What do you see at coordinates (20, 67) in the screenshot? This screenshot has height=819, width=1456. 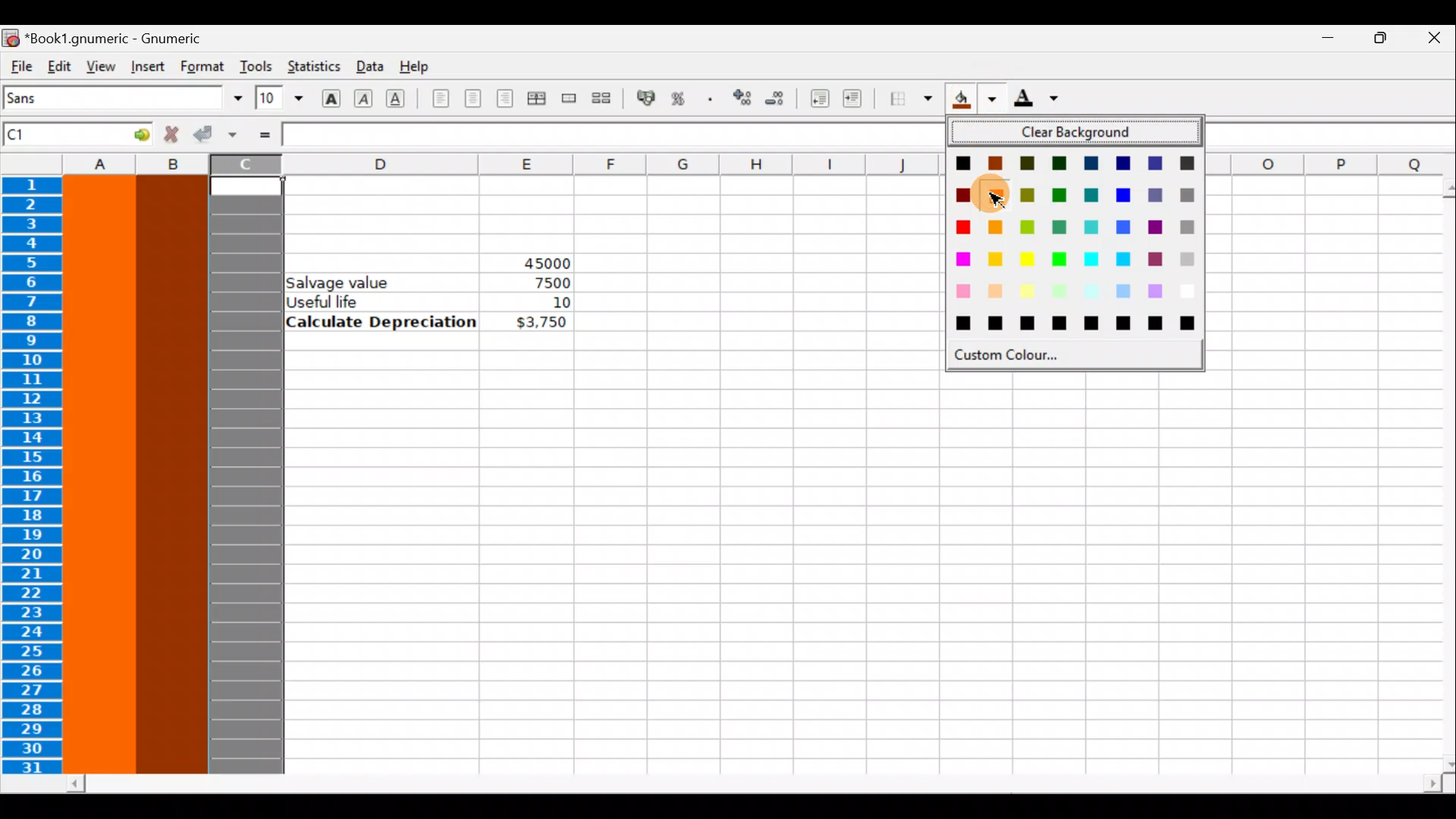 I see `File` at bounding box center [20, 67].